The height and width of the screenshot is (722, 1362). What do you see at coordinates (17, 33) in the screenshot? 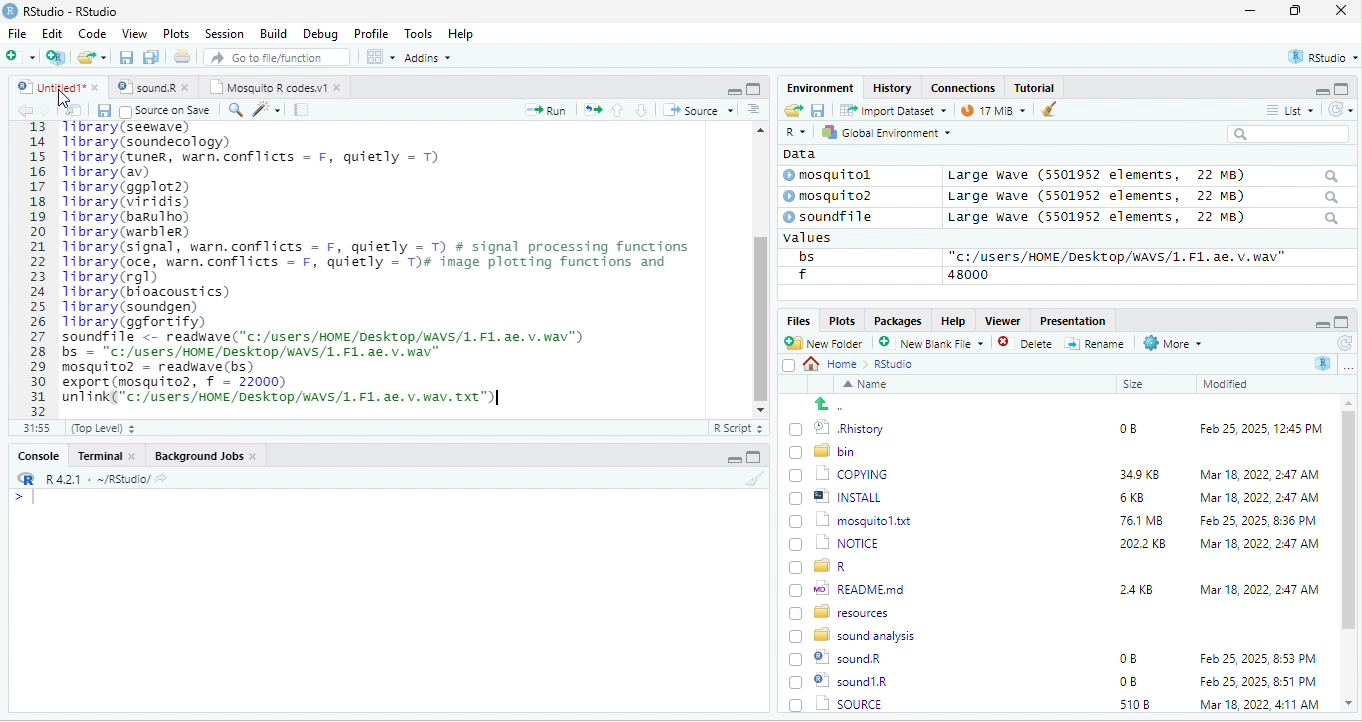
I see `File` at bounding box center [17, 33].